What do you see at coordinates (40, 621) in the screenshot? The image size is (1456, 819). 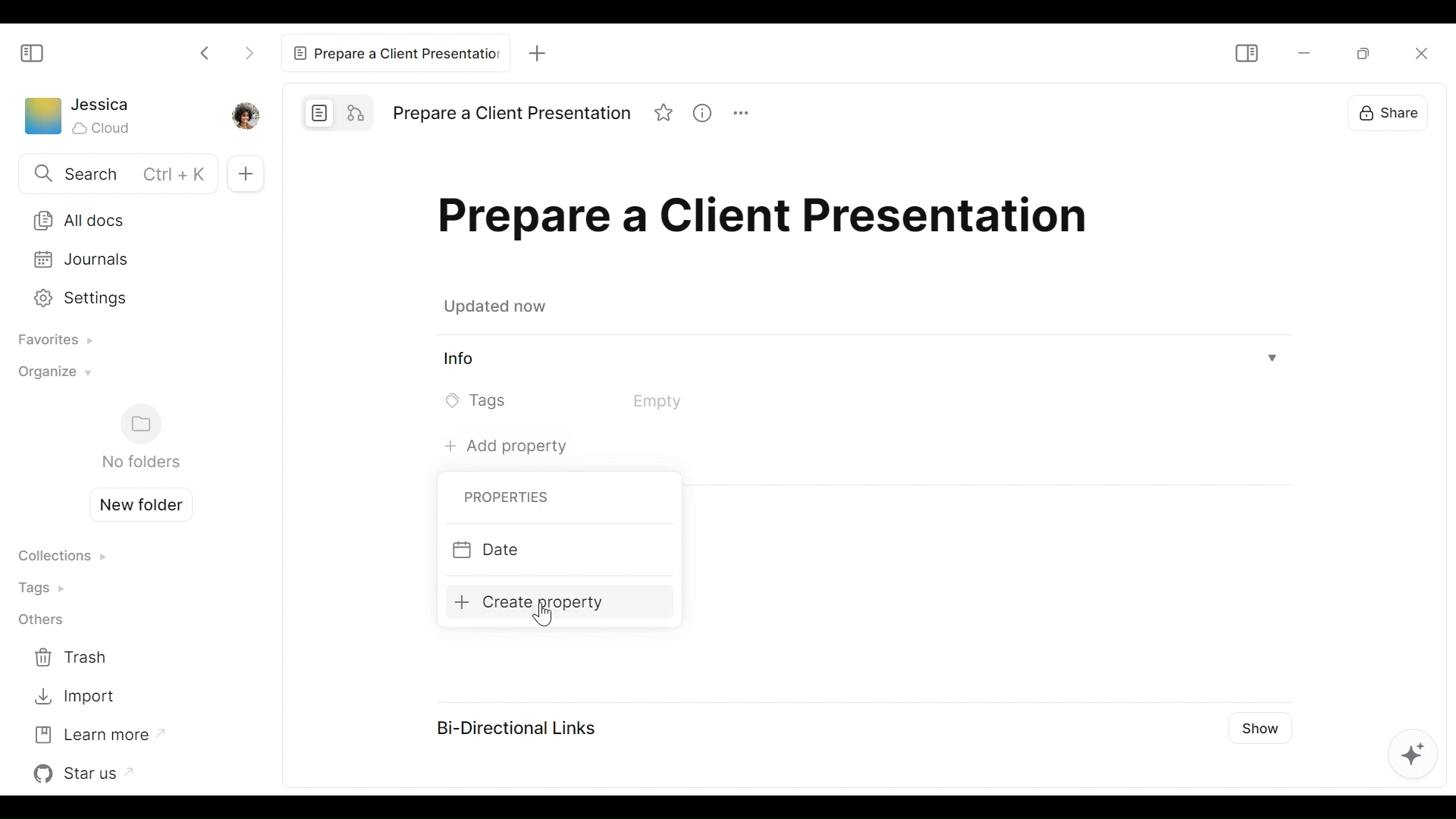 I see `Others` at bounding box center [40, 621].